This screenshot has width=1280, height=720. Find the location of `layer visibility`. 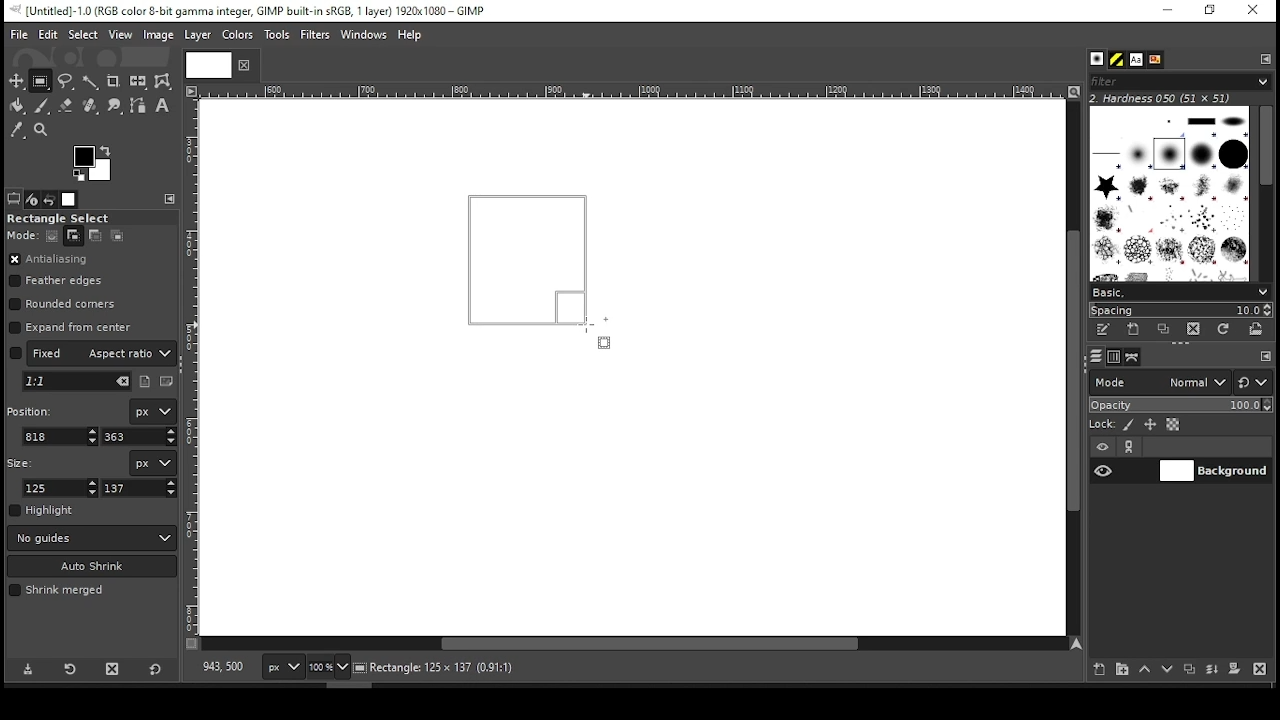

layer visibility is located at coordinates (1103, 447).